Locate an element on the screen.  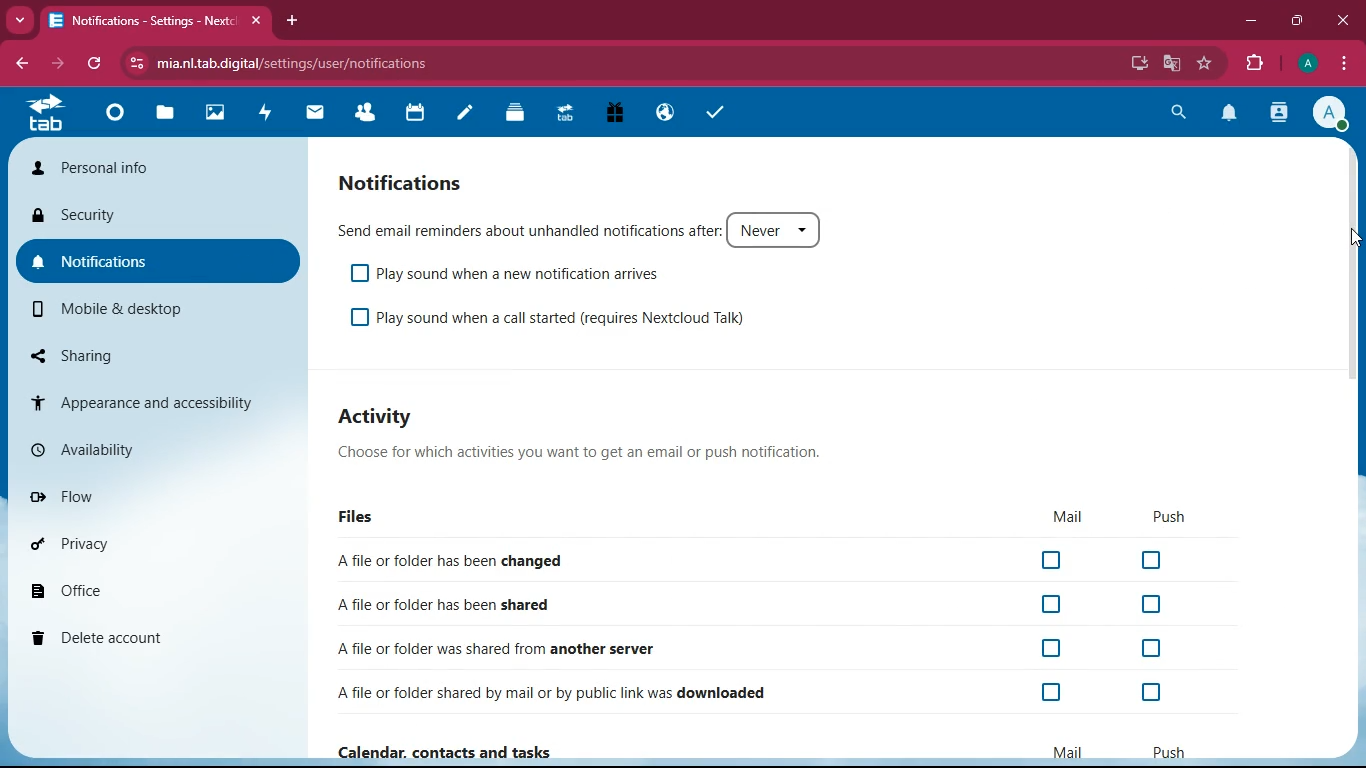
maximize is located at coordinates (1295, 22).